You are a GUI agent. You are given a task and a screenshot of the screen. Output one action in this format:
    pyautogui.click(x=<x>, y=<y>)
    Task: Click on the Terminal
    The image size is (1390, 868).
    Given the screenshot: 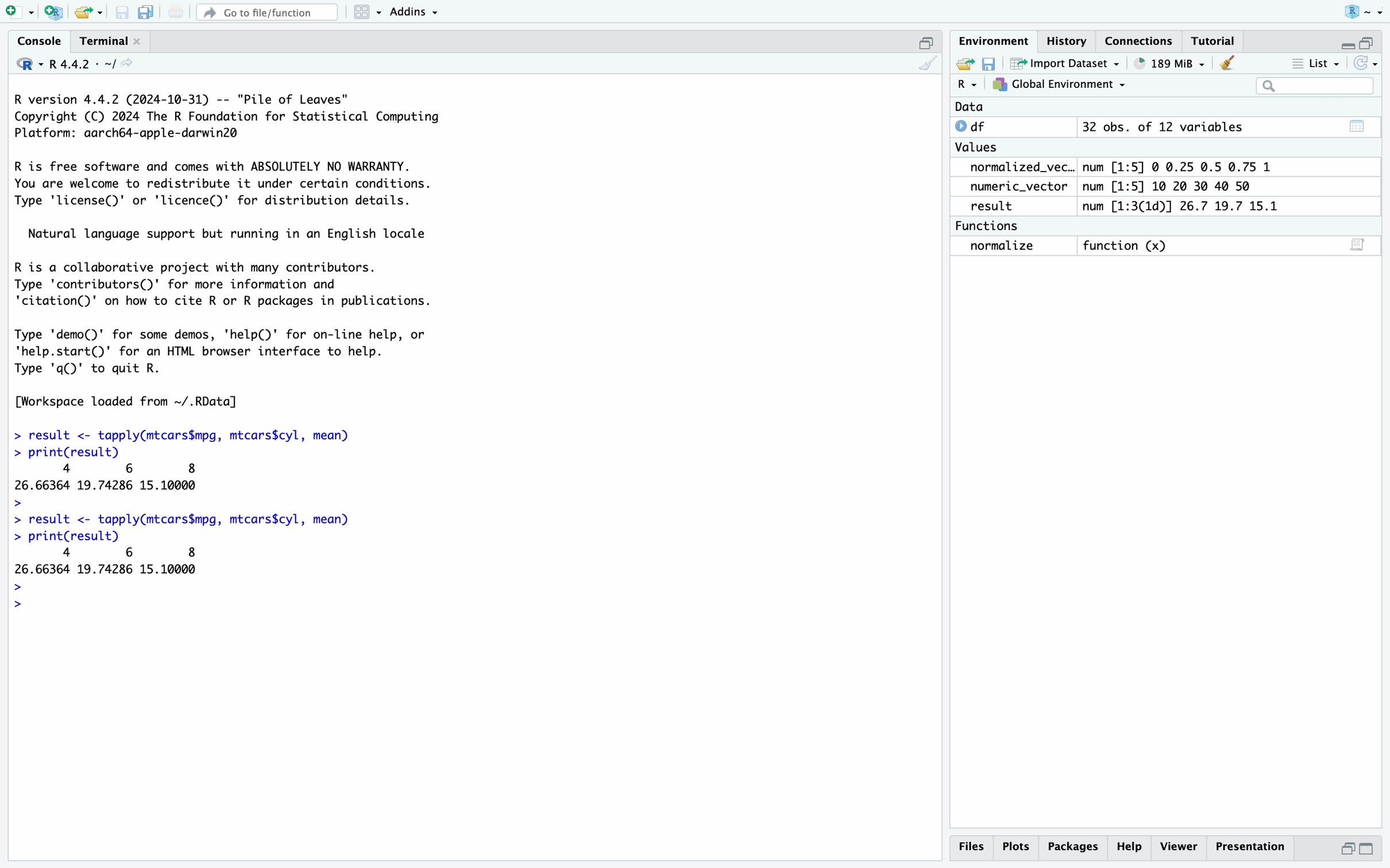 What is the action you would take?
    pyautogui.click(x=110, y=41)
    